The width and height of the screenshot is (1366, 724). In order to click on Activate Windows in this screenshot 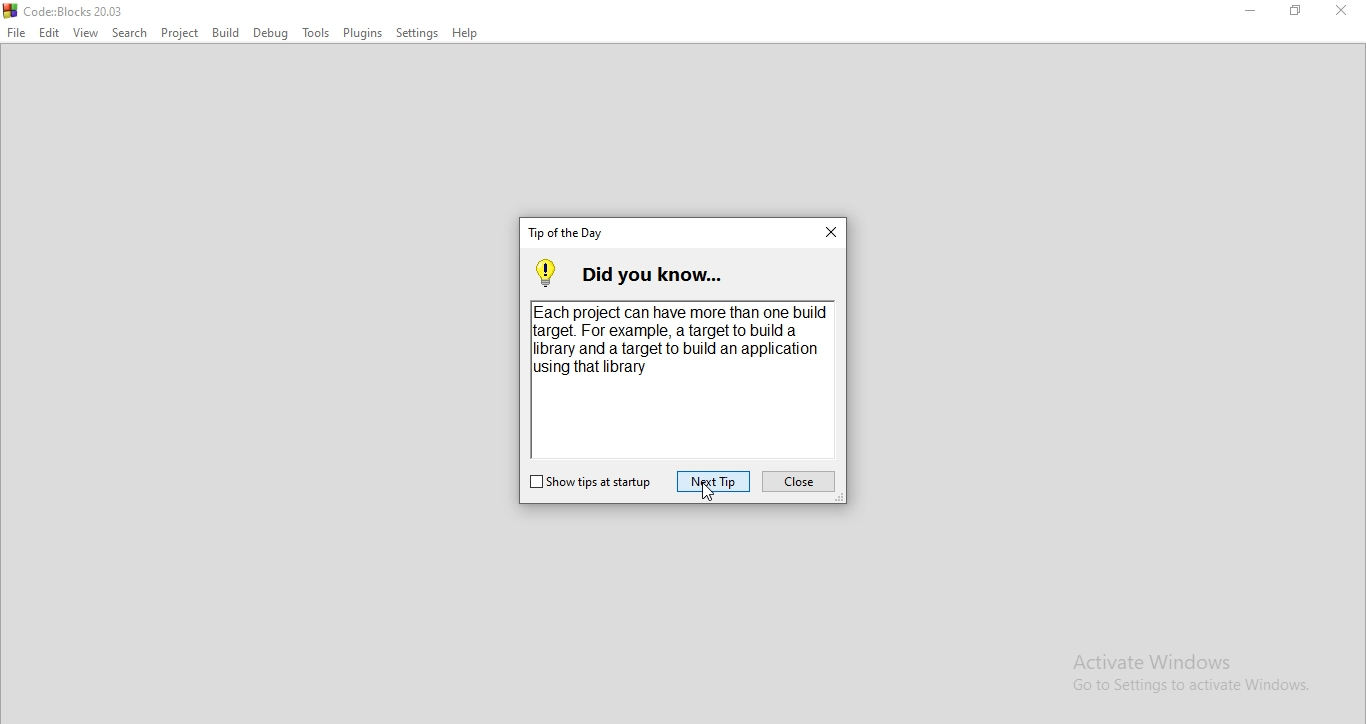, I will do `click(1190, 675)`.